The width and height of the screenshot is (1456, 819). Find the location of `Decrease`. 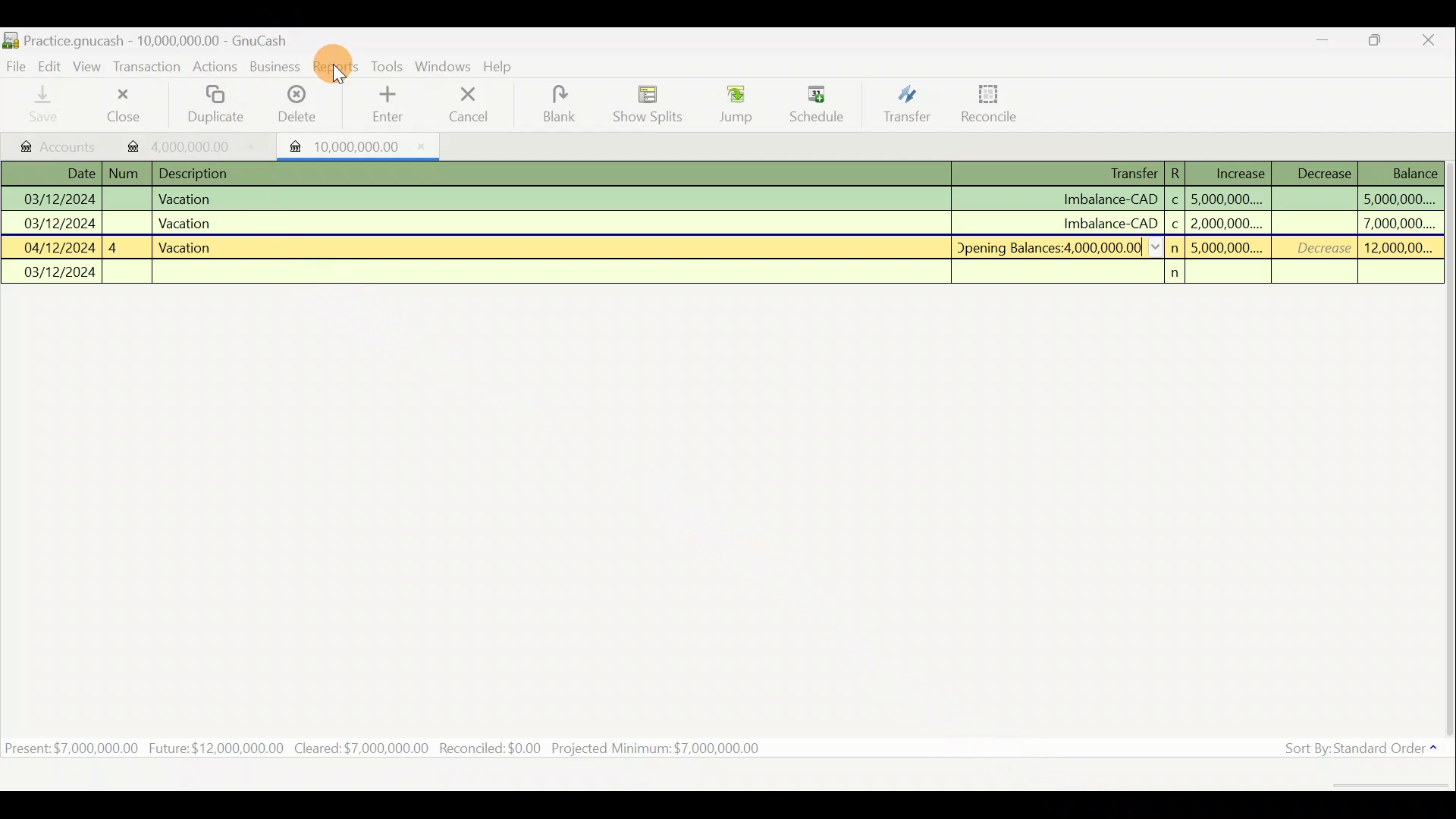

Decrease is located at coordinates (1326, 247).